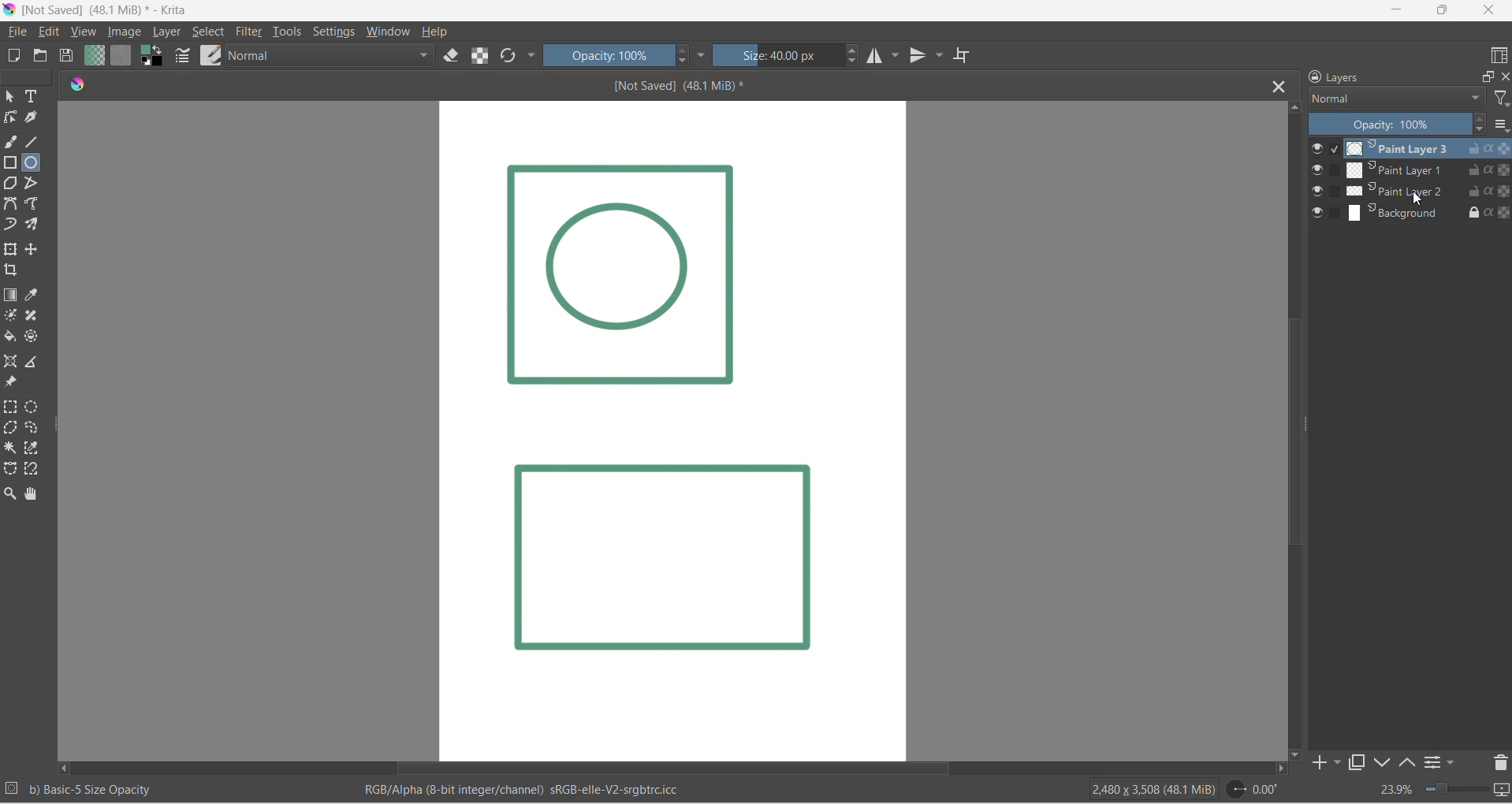 This screenshot has height=804, width=1512. Describe the element at coordinates (1333, 212) in the screenshot. I see `checkbox` at that location.